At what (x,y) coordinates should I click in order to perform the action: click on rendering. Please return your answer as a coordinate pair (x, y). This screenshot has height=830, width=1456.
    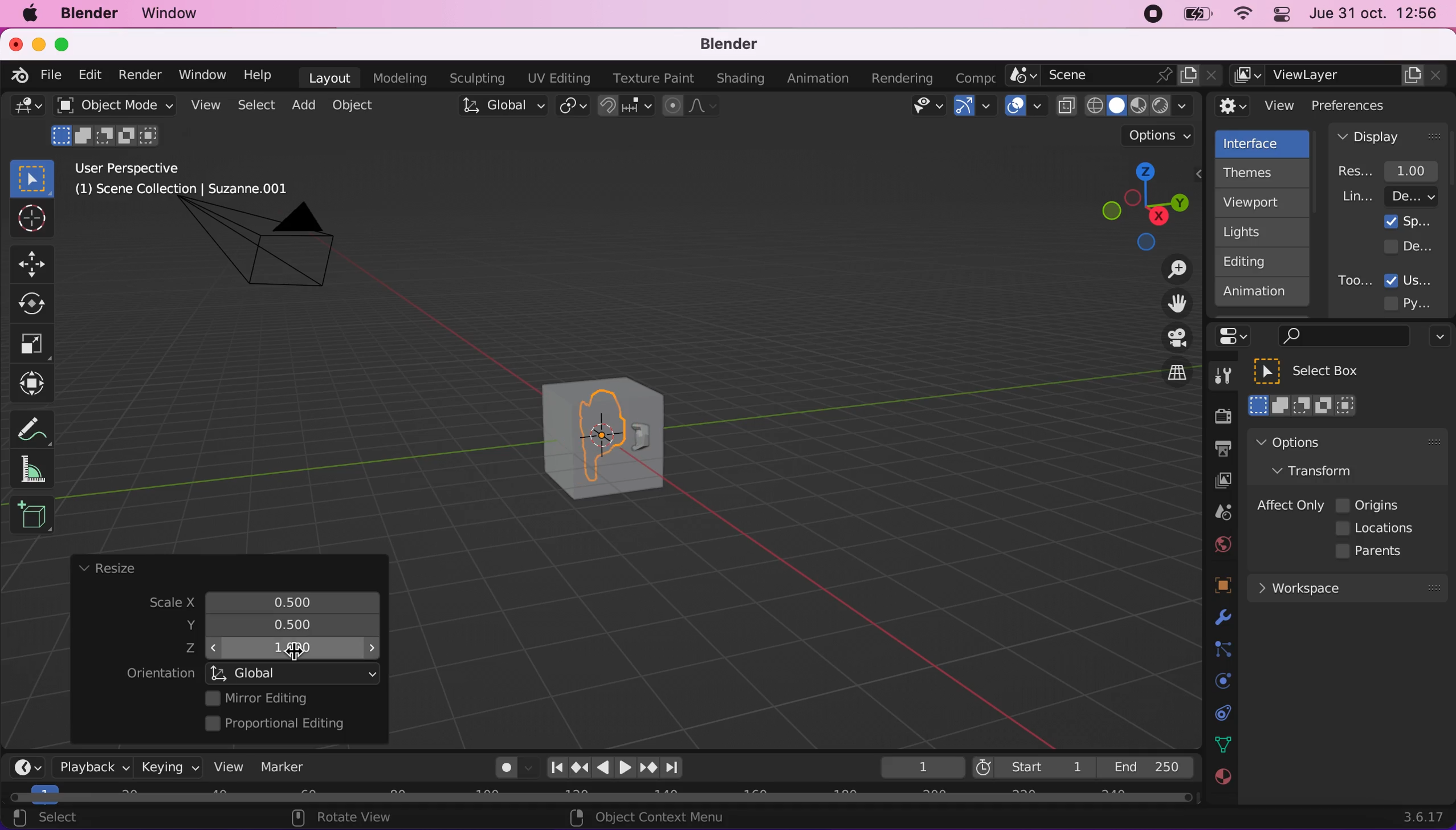
    Looking at the image, I should click on (903, 79).